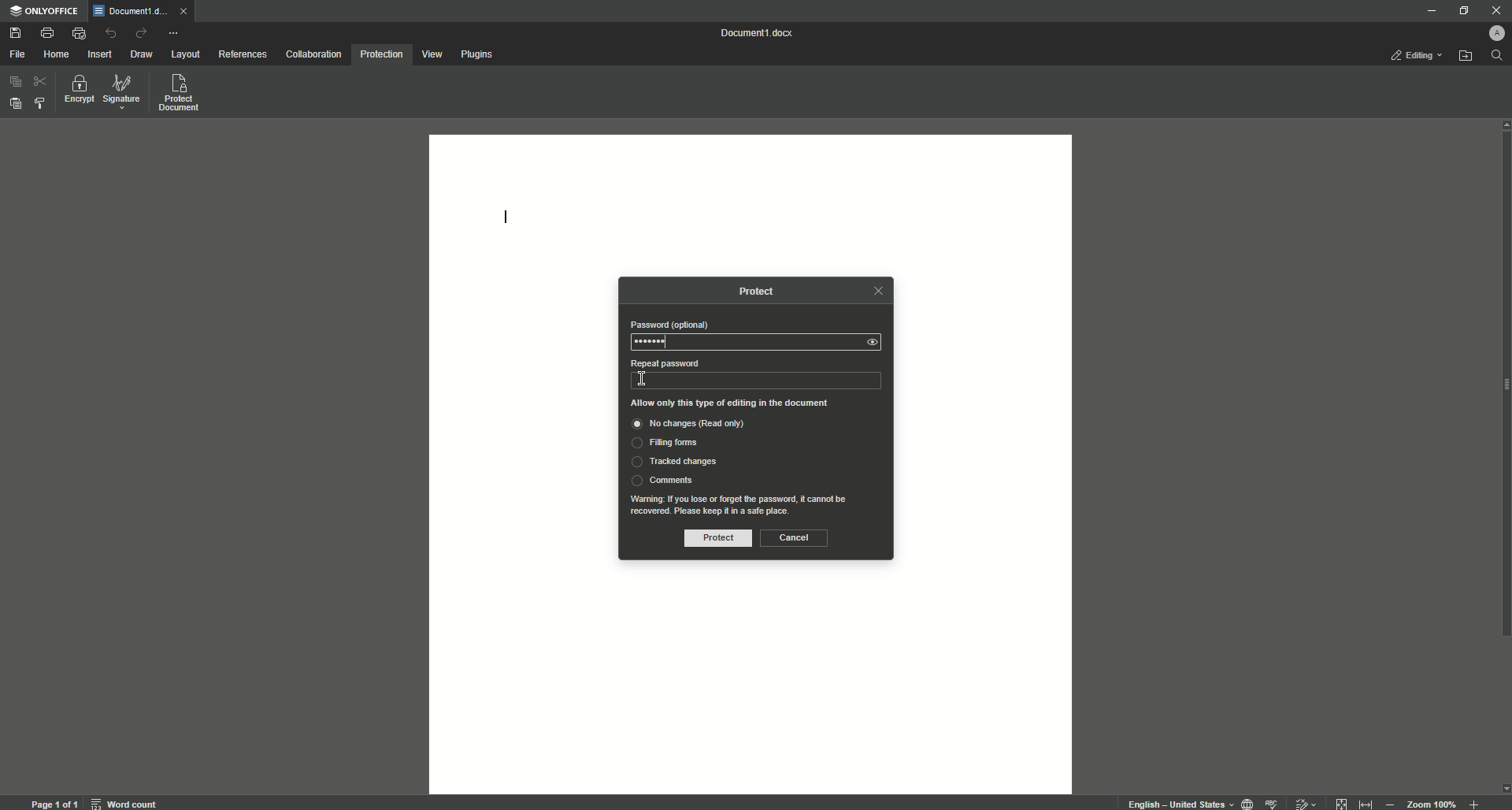 This screenshot has width=1512, height=810. I want to click on text Cursor, so click(643, 380).